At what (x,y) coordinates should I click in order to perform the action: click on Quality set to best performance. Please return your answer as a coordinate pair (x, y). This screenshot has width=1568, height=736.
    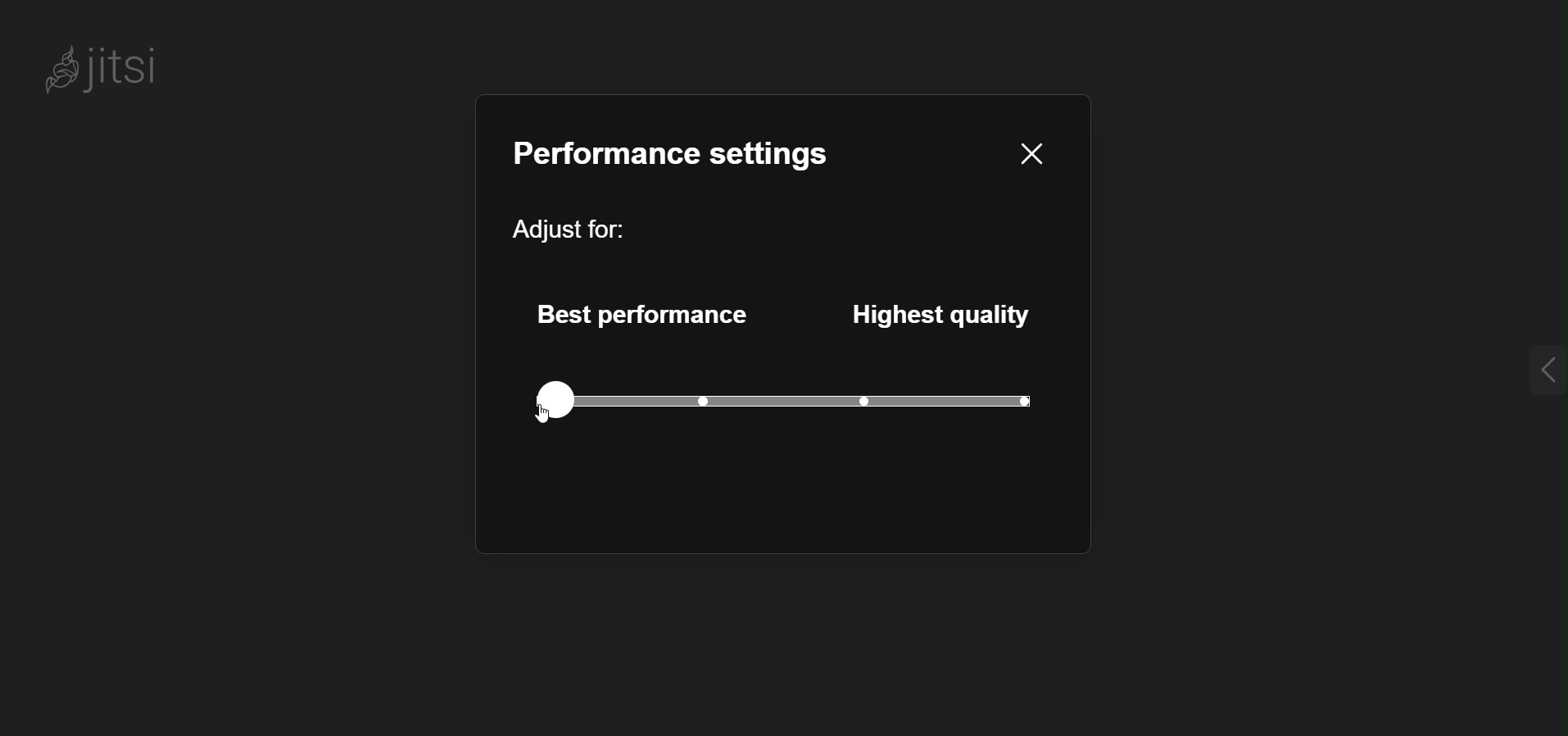
    Looking at the image, I should click on (555, 398).